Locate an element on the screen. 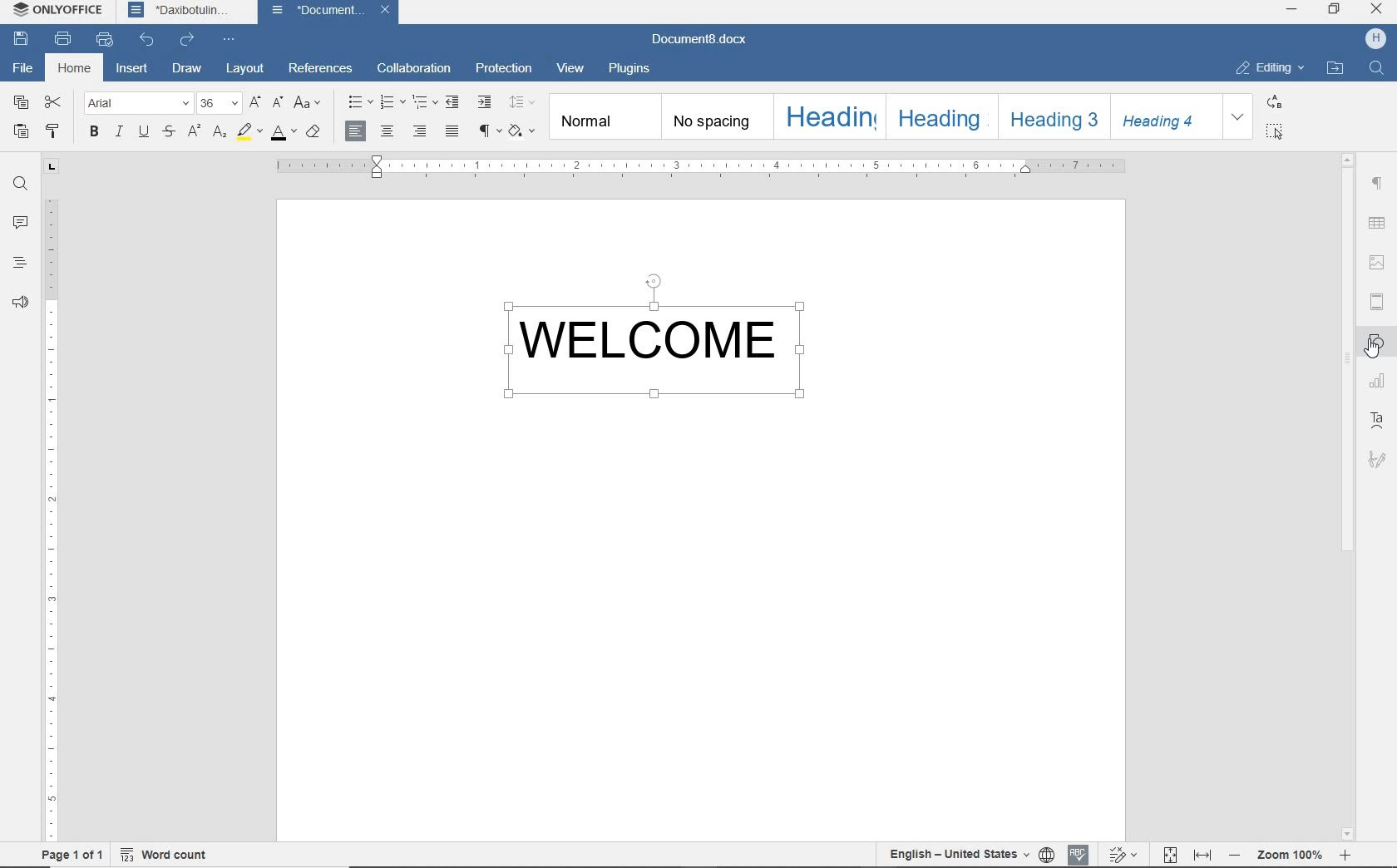 This screenshot has height=868, width=1397. HP is located at coordinates (1375, 39).